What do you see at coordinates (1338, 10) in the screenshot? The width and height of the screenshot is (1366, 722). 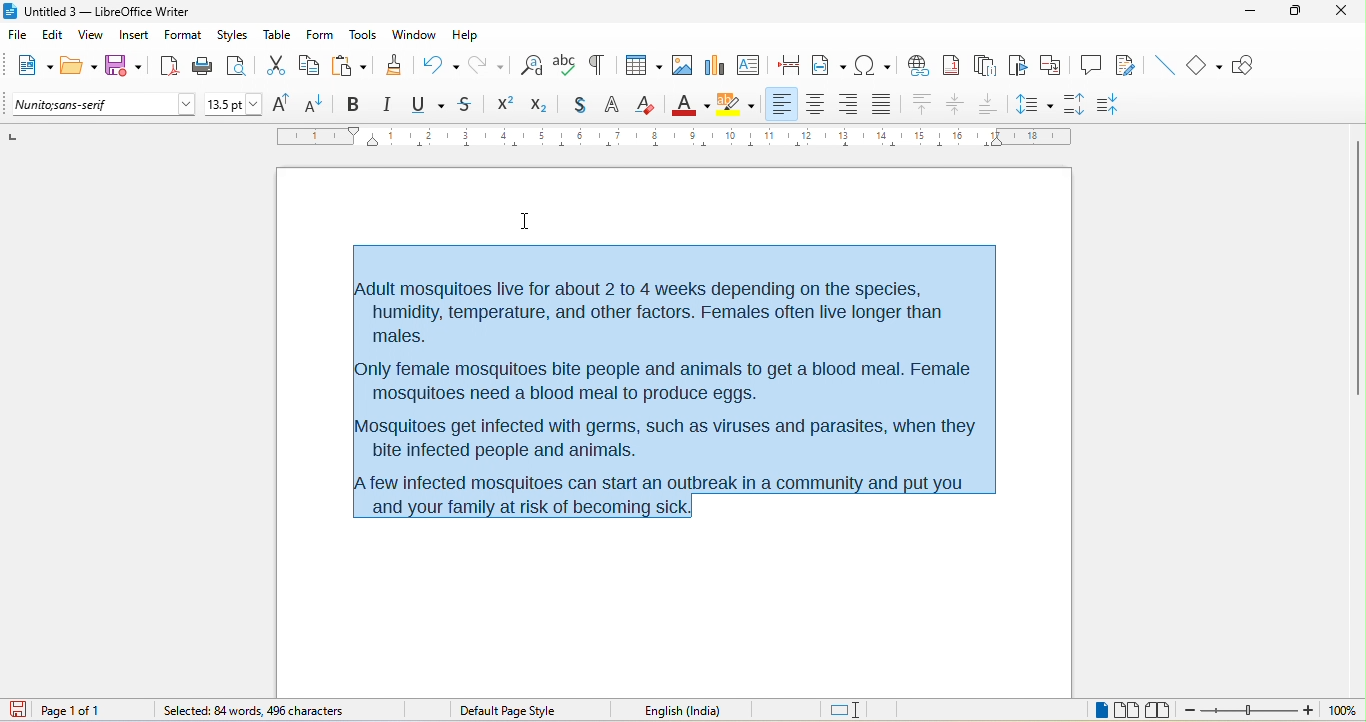 I see `close` at bounding box center [1338, 10].